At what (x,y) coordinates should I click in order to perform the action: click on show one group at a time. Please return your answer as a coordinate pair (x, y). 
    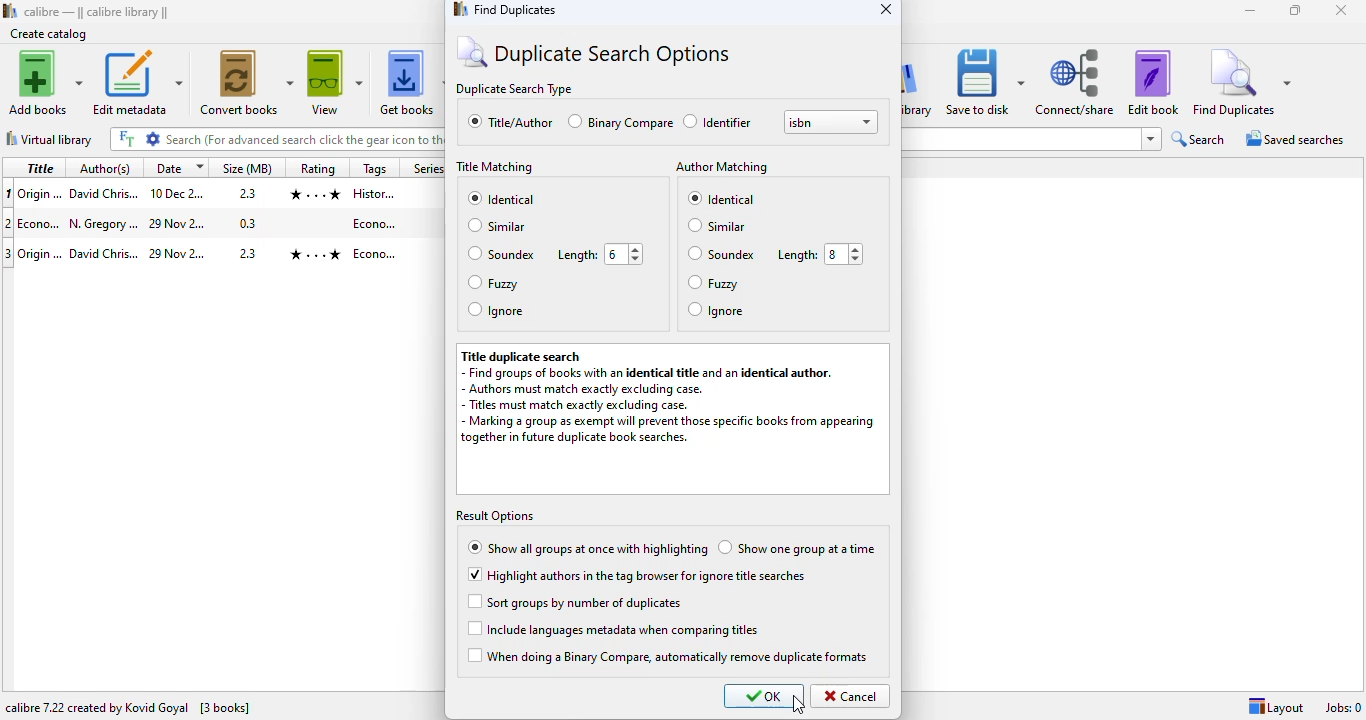
    Looking at the image, I should click on (797, 547).